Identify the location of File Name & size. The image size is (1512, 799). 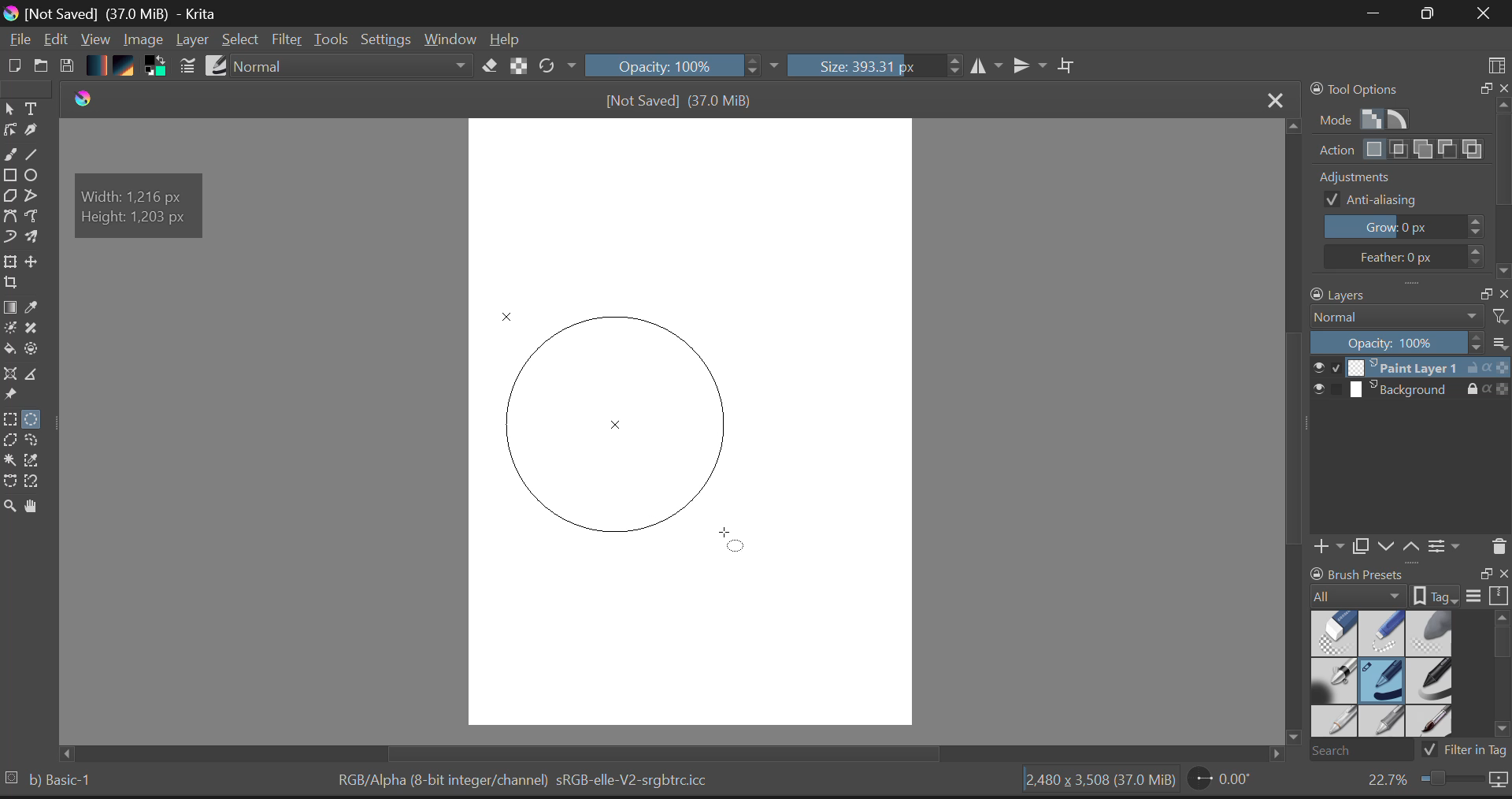
(679, 100).